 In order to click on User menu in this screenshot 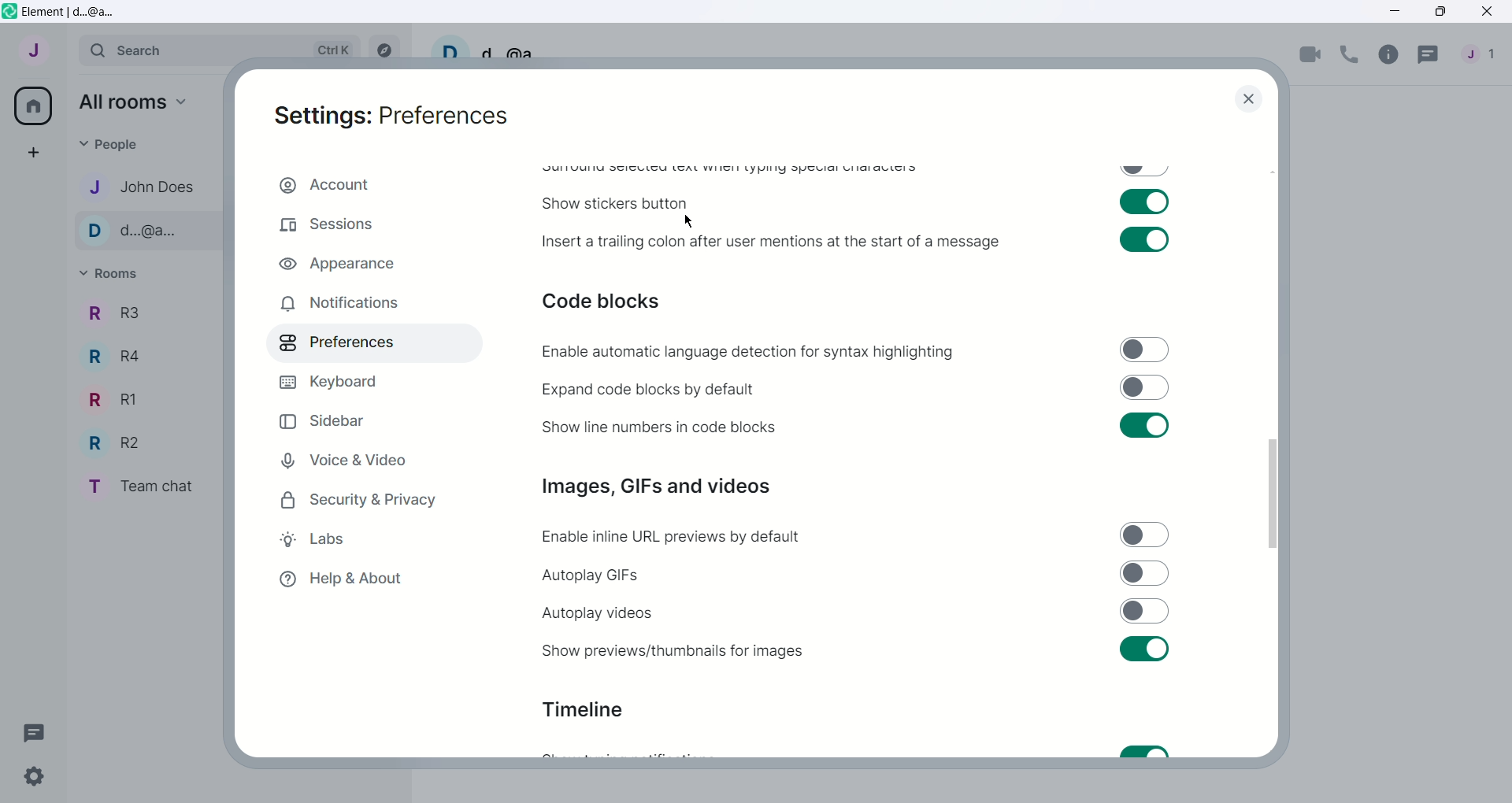, I will do `click(35, 48)`.